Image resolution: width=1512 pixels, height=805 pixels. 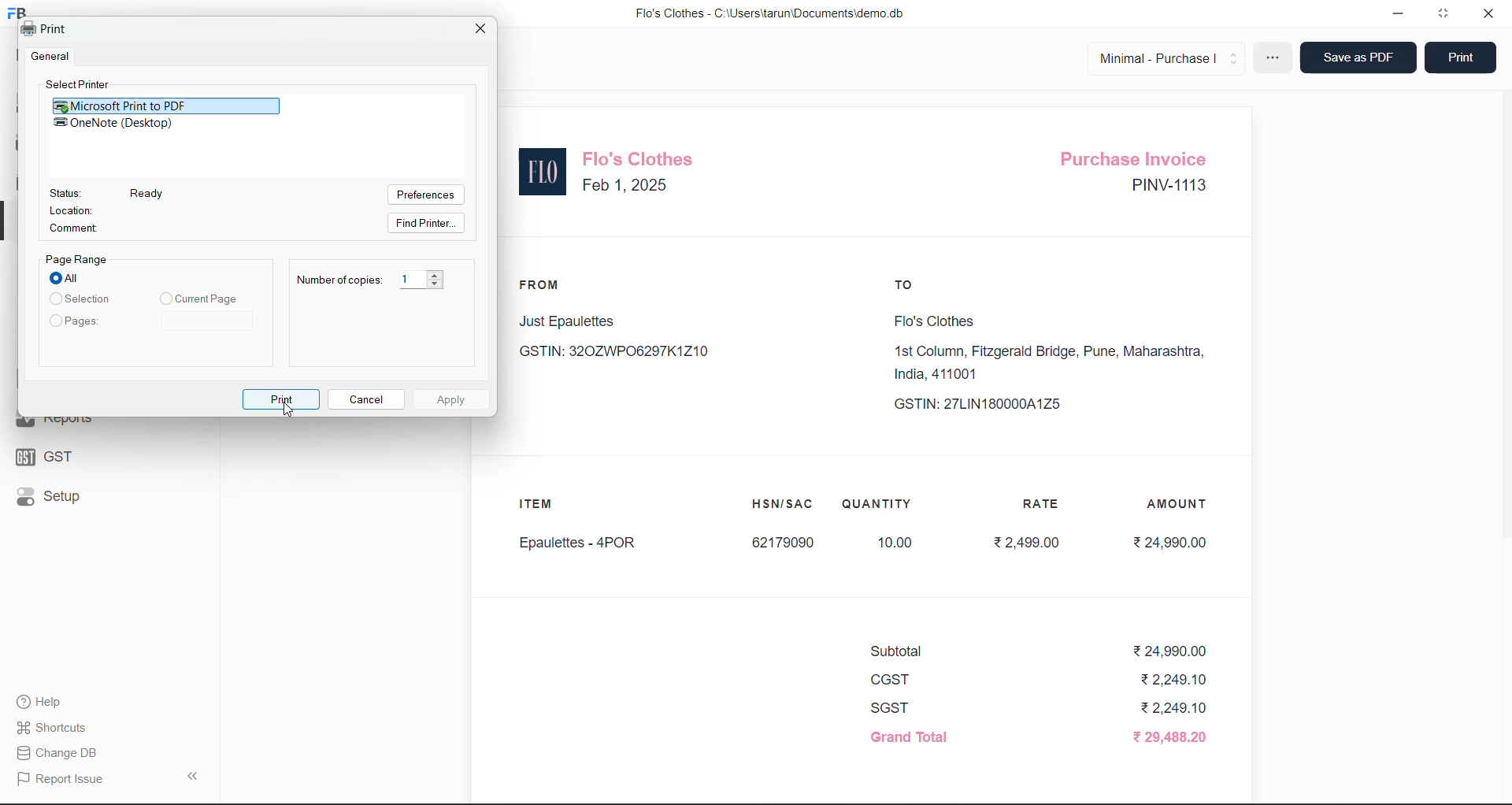 I want to click on TO, so click(x=910, y=289).